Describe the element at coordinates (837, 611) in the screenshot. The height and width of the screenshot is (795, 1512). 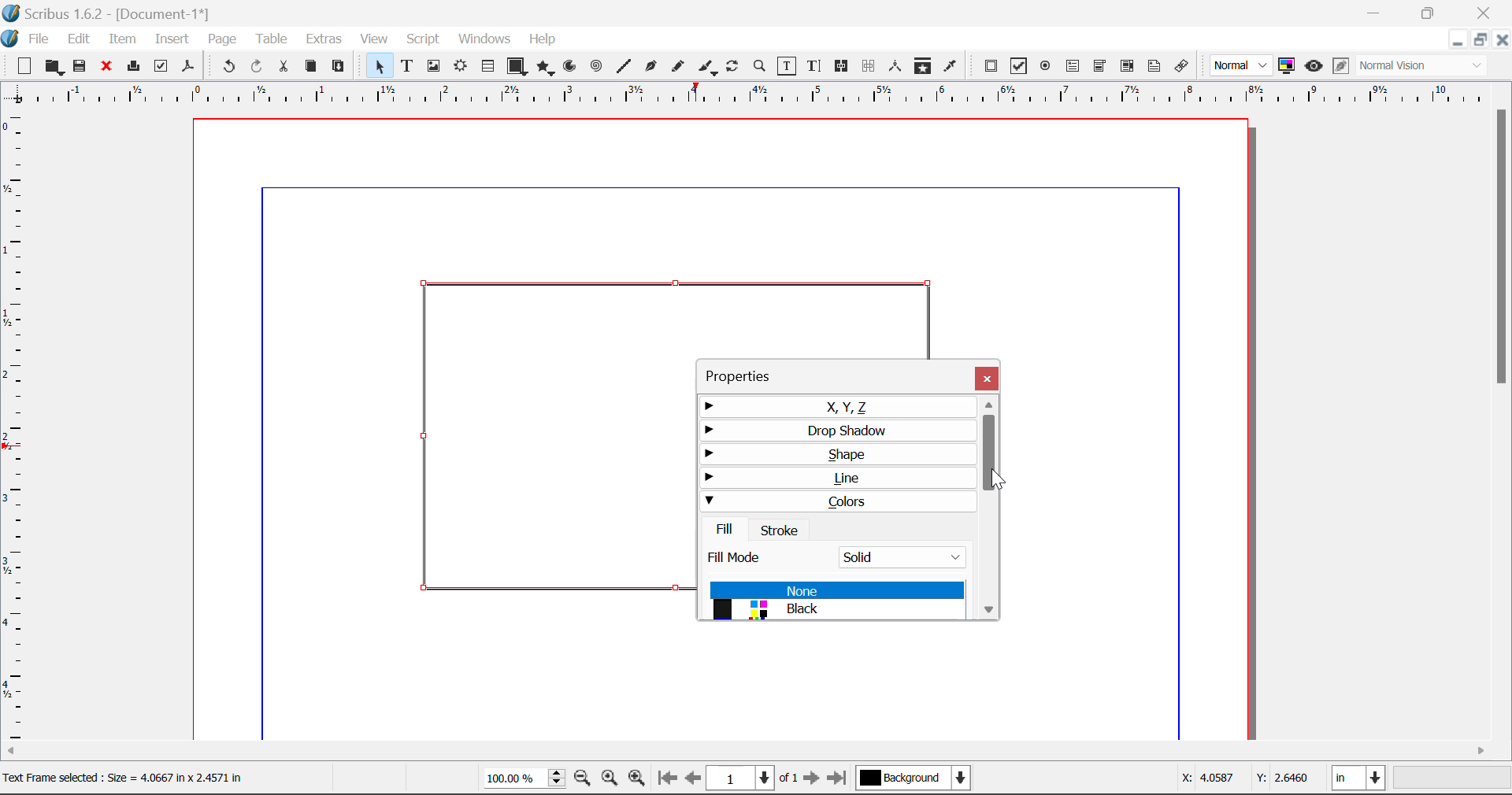
I see `Black` at that location.